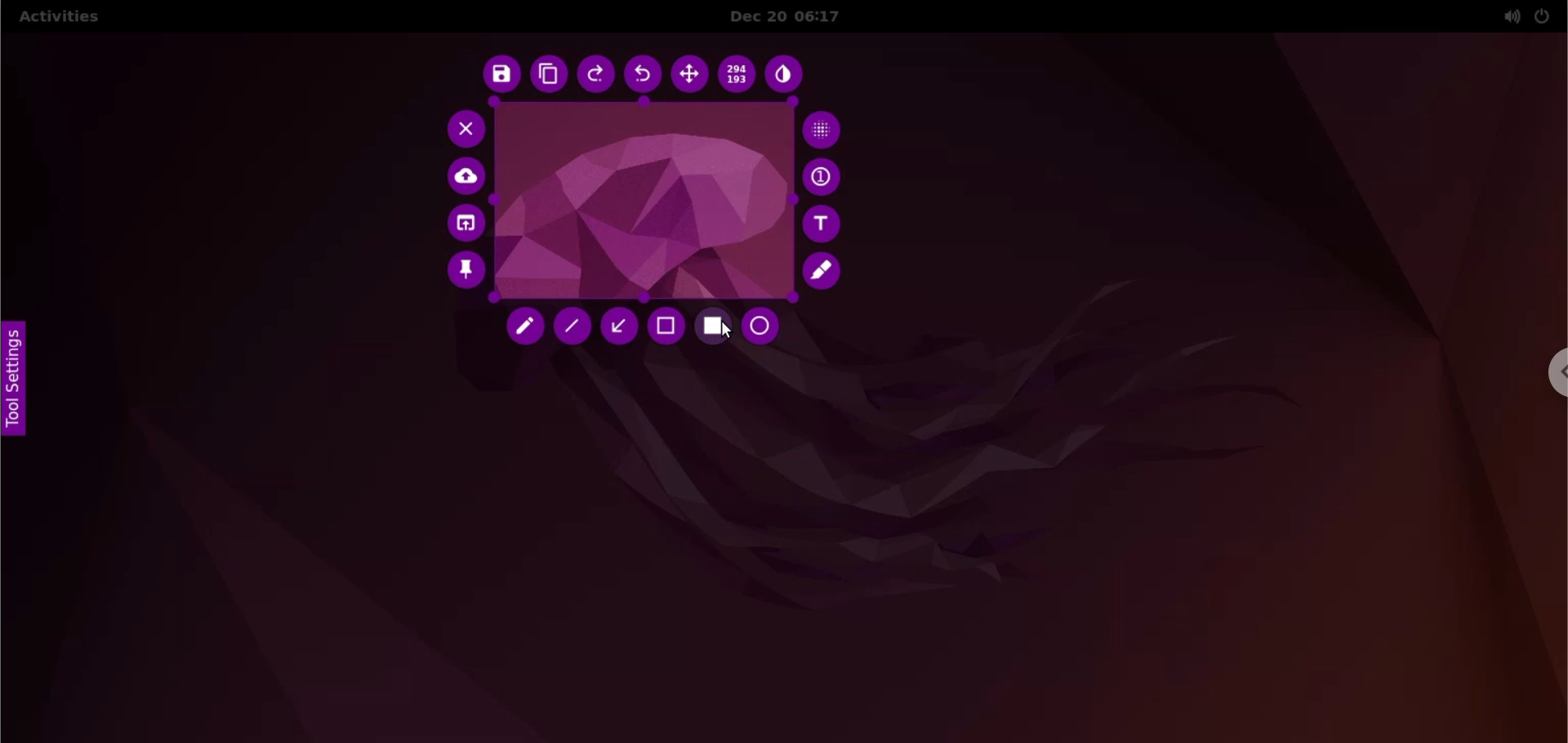  I want to click on marker, so click(825, 271).